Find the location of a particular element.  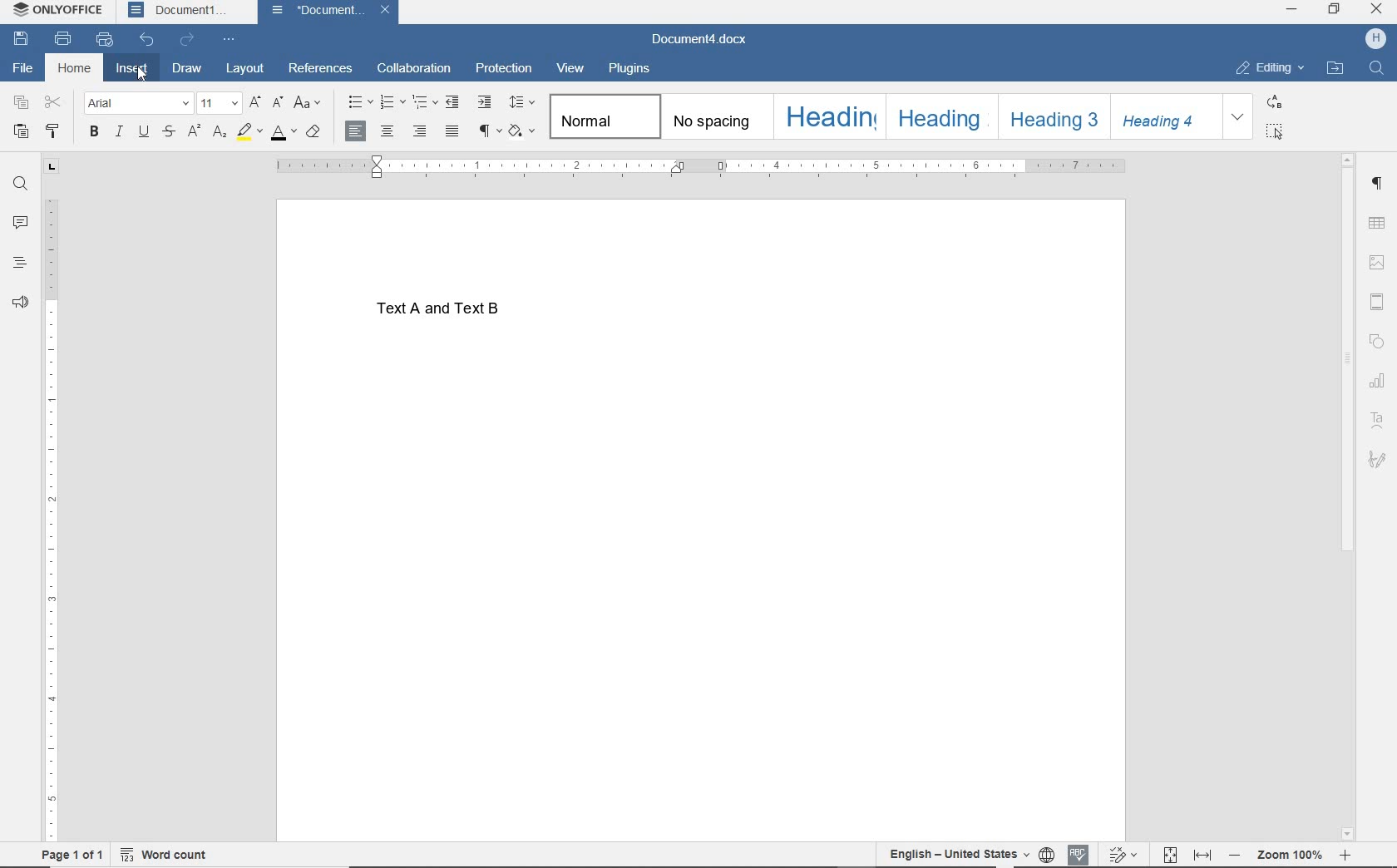

DRAW is located at coordinates (188, 67).